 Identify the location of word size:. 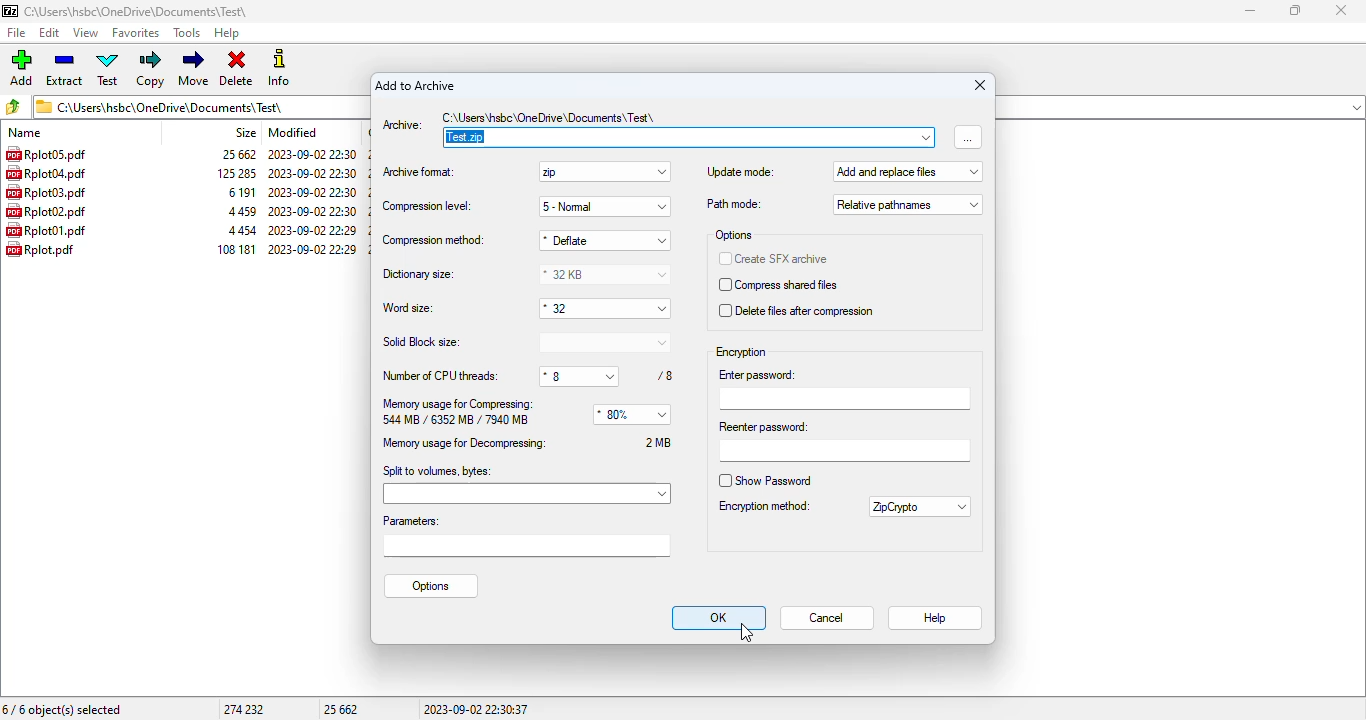
(409, 309).